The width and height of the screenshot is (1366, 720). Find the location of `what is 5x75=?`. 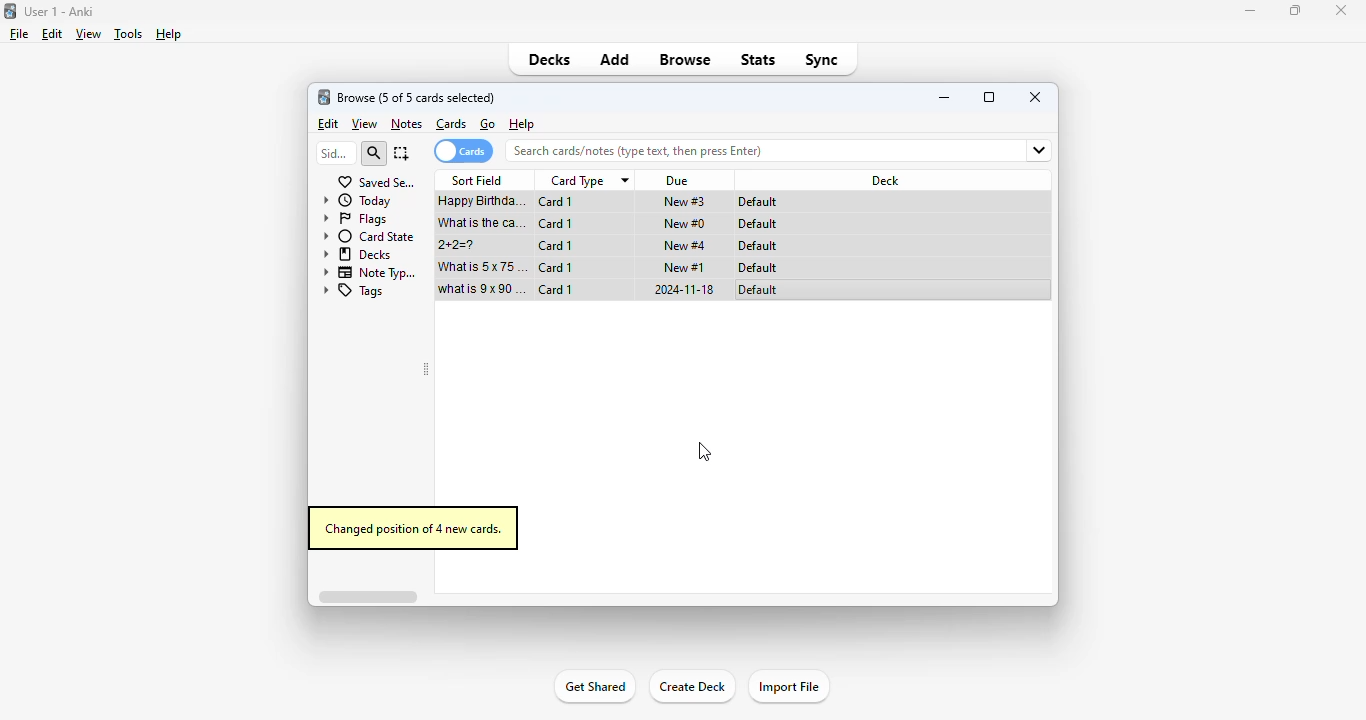

what is 5x75=? is located at coordinates (483, 266).